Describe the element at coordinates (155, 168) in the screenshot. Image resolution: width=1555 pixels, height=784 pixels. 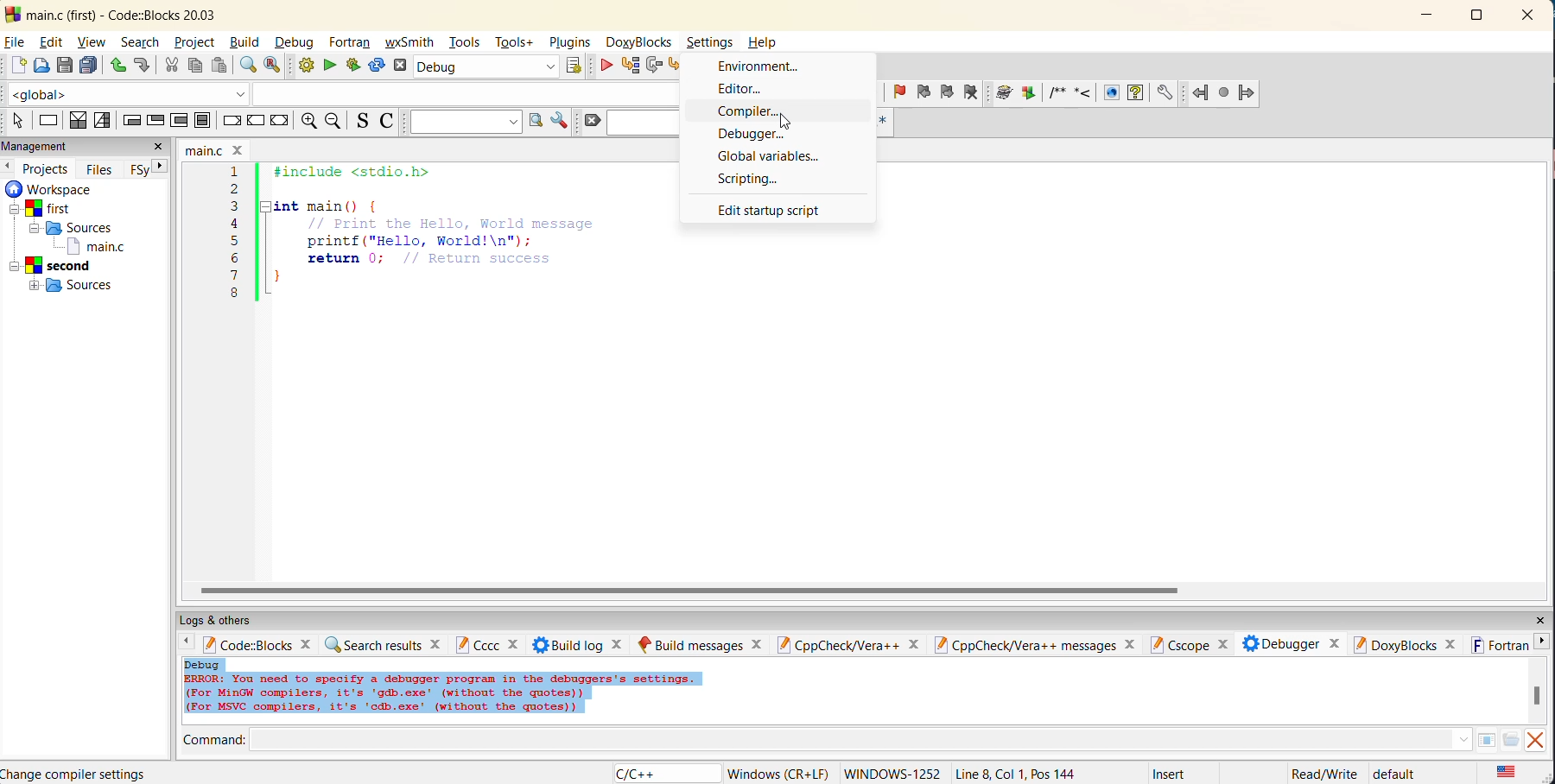
I see `next` at that location.